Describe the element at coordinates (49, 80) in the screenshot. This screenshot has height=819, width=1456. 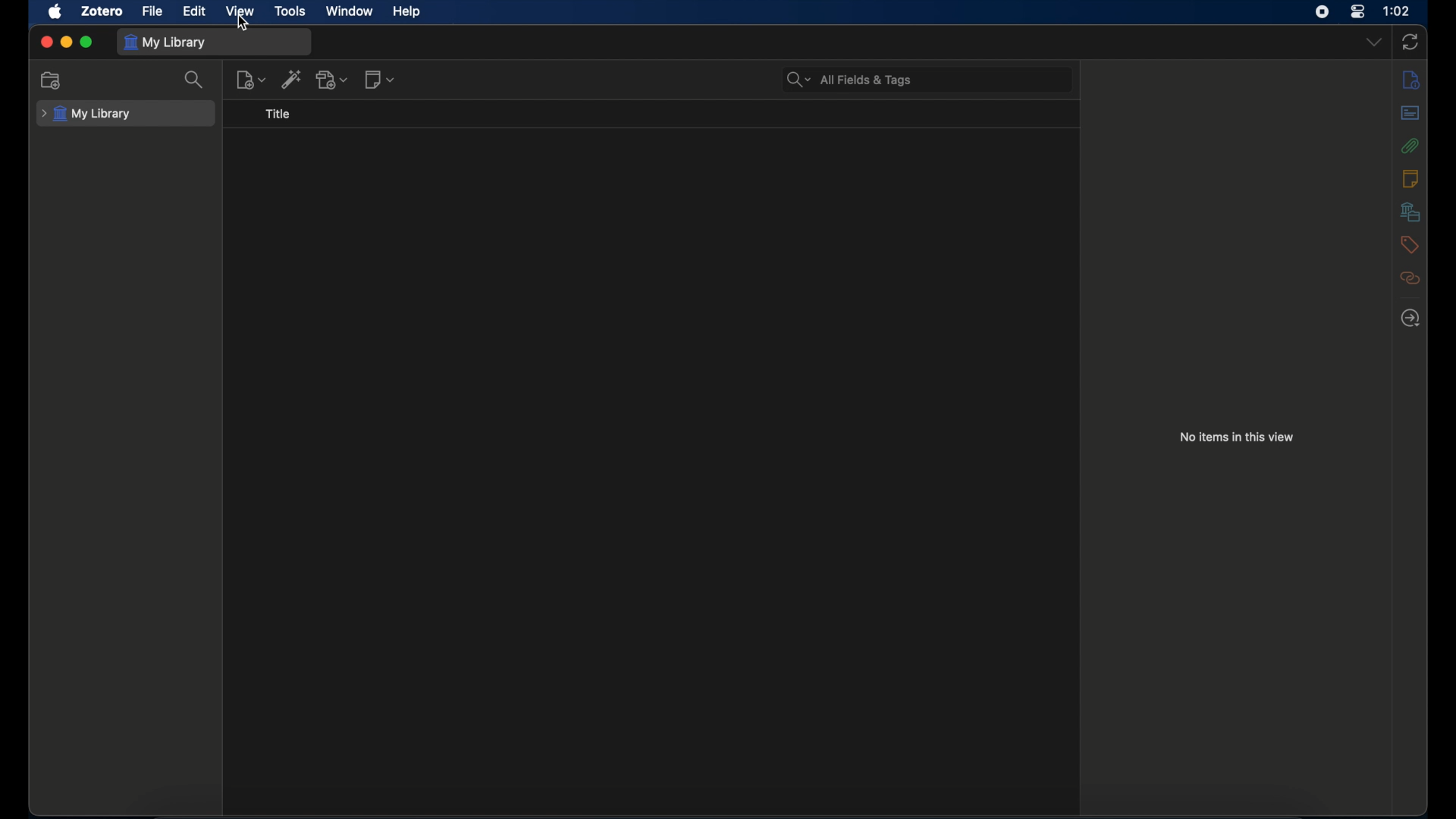
I see `new collection` at that location.